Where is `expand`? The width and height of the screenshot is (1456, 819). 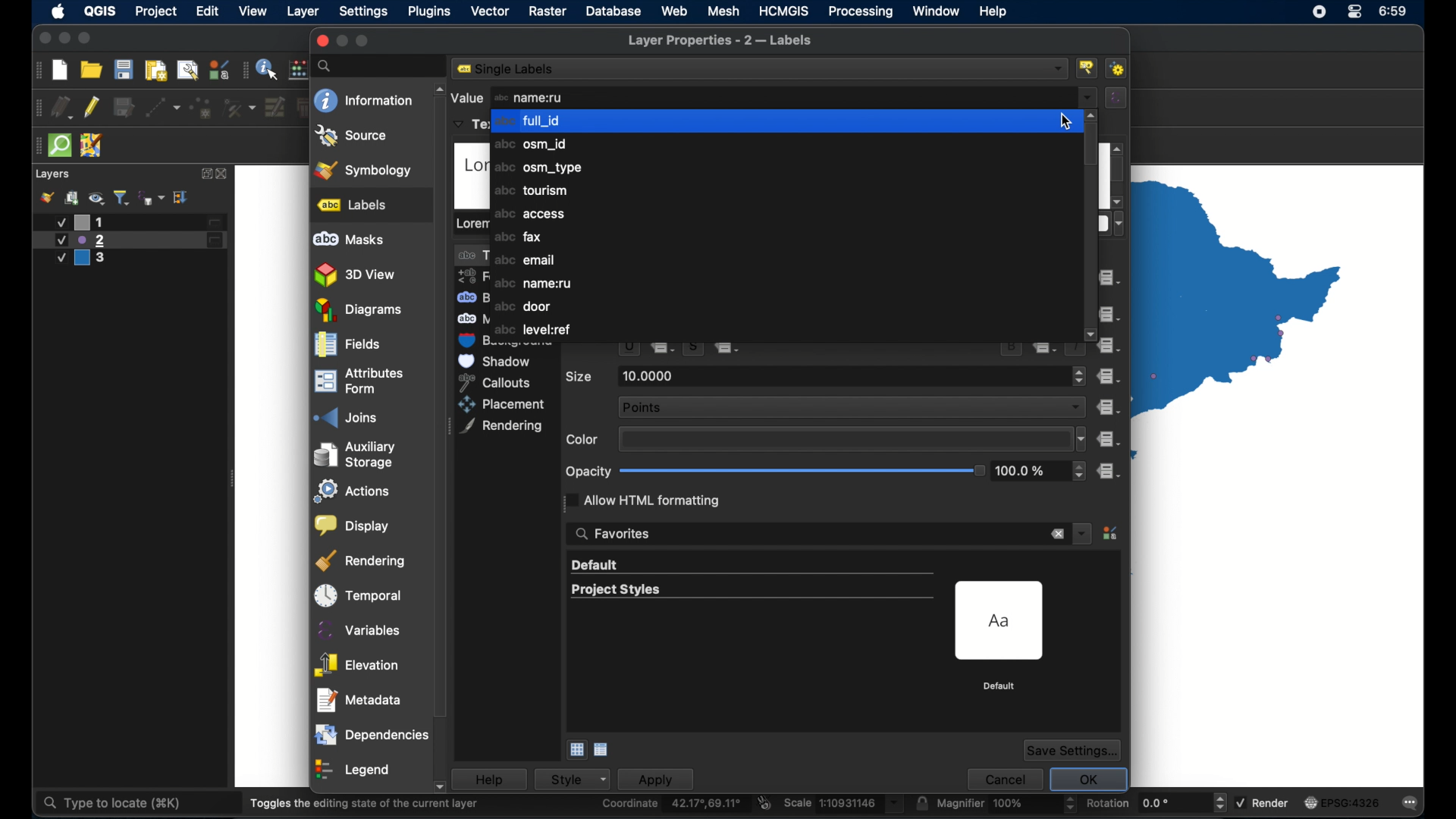 expand is located at coordinates (182, 198).